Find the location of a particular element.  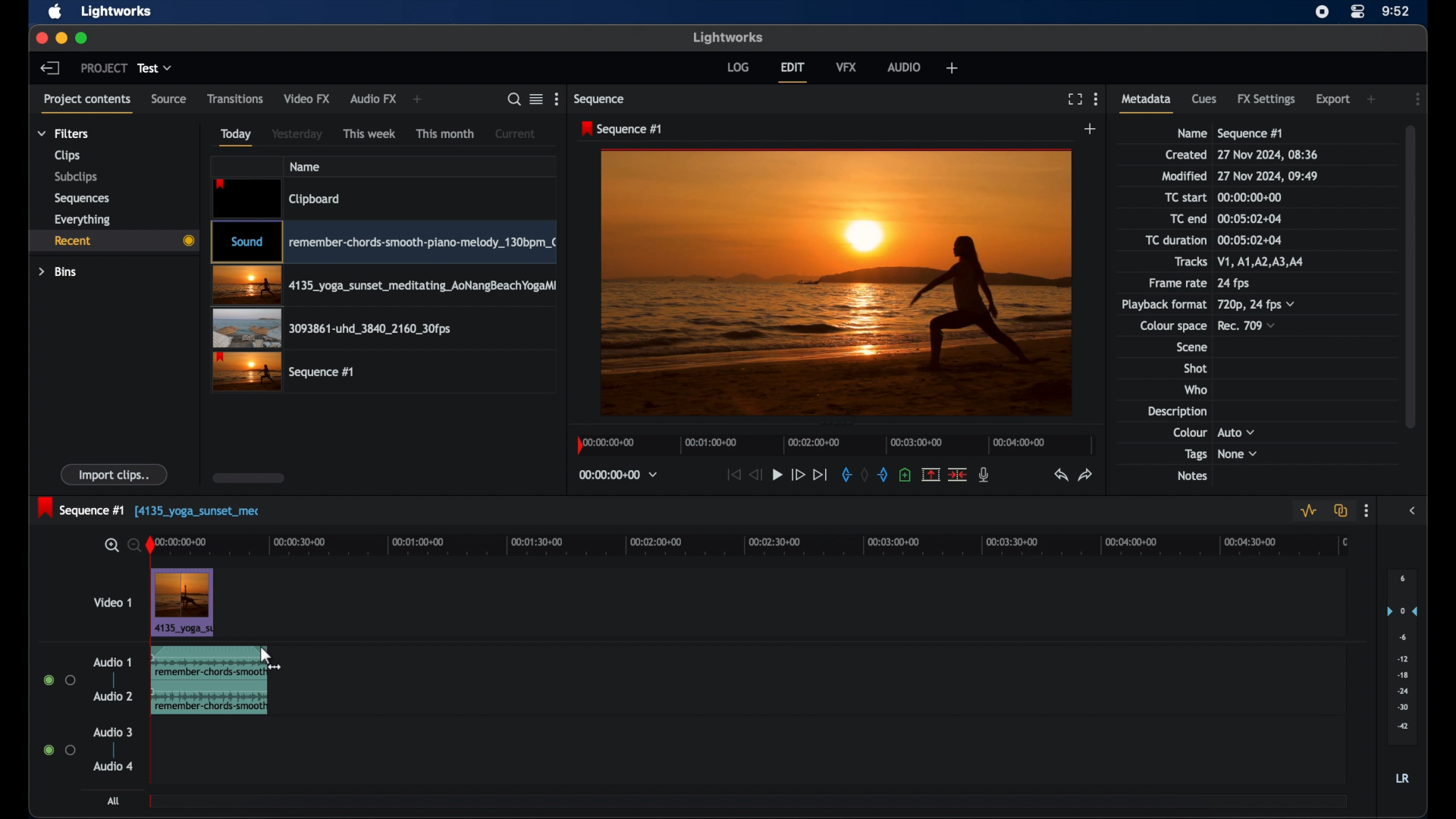

shot is located at coordinates (1196, 368).